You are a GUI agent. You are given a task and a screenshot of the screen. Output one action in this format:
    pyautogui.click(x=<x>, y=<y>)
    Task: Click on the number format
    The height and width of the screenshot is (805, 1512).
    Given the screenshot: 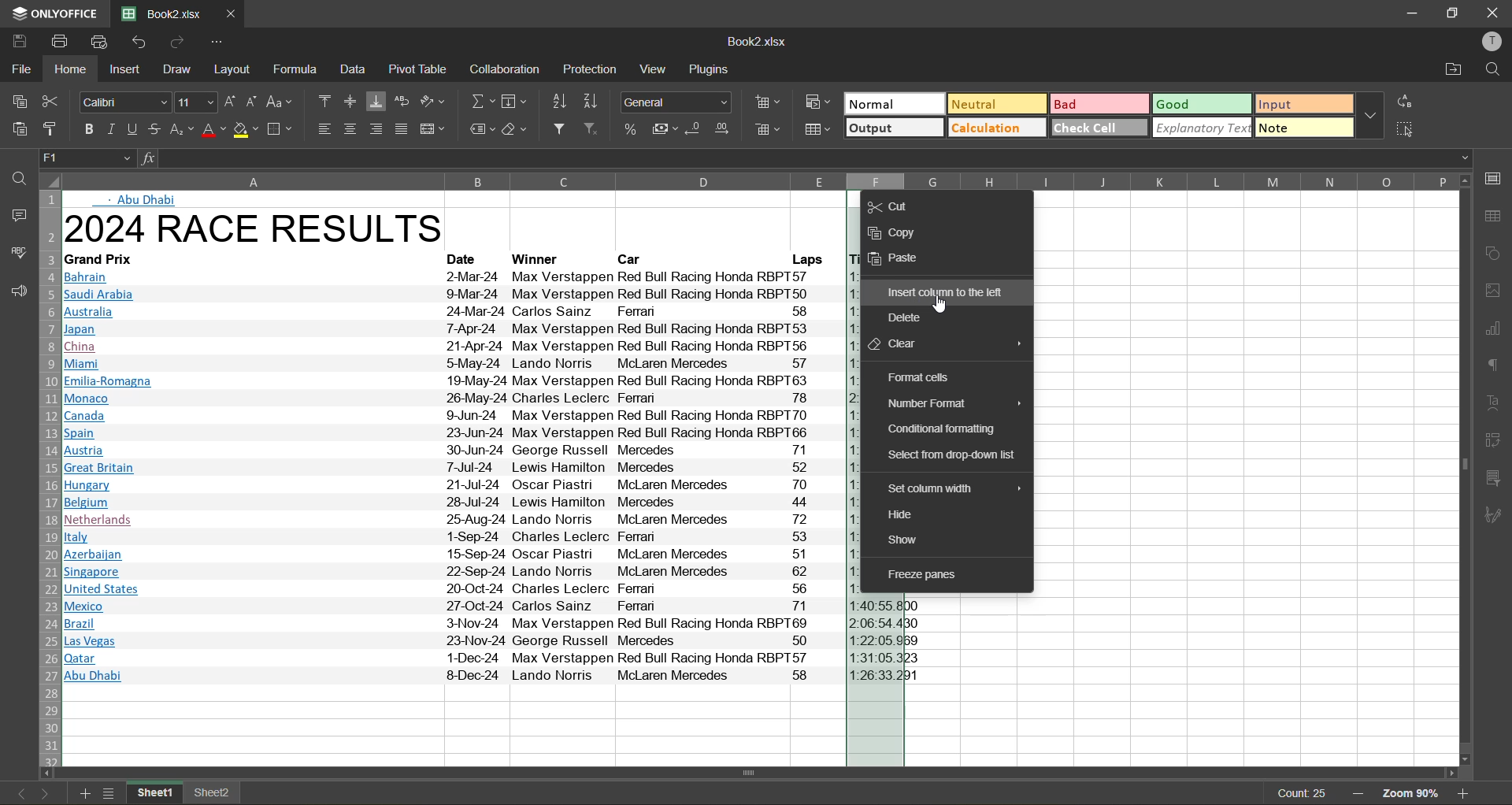 What is the action you would take?
    pyautogui.click(x=953, y=402)
    